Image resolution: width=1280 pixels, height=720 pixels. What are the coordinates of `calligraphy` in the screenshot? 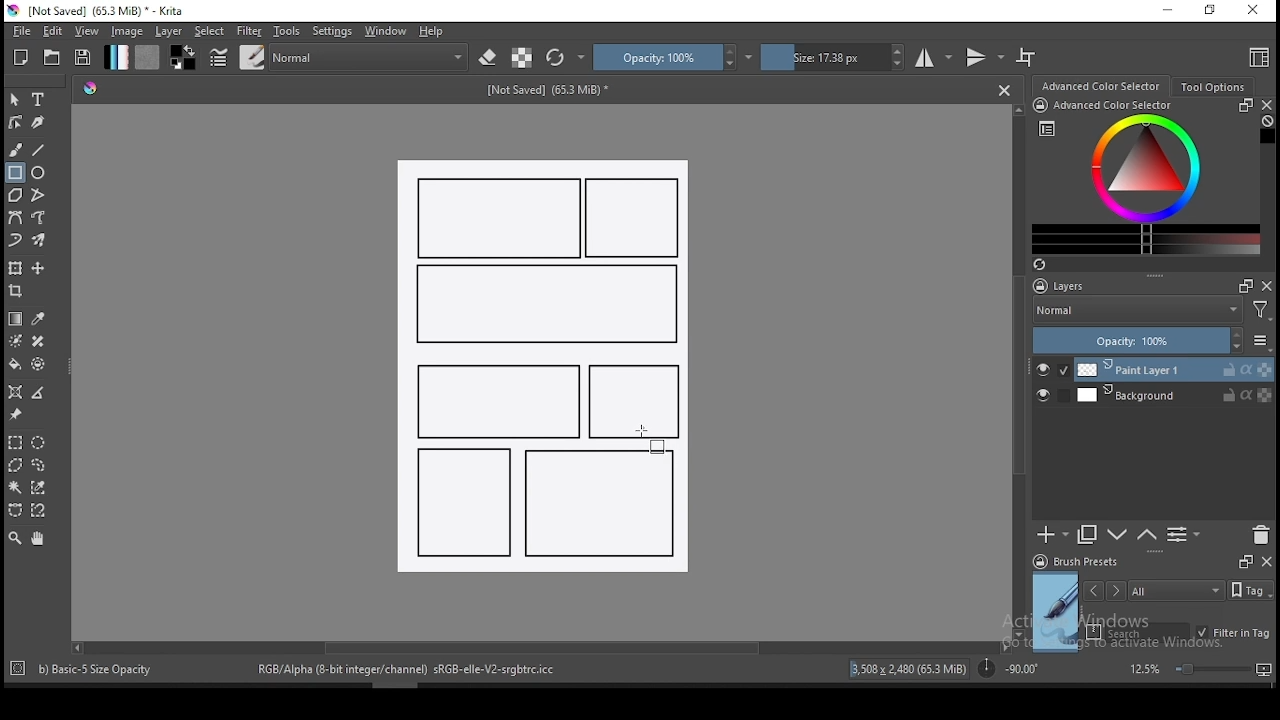 It's located at (39, 121).